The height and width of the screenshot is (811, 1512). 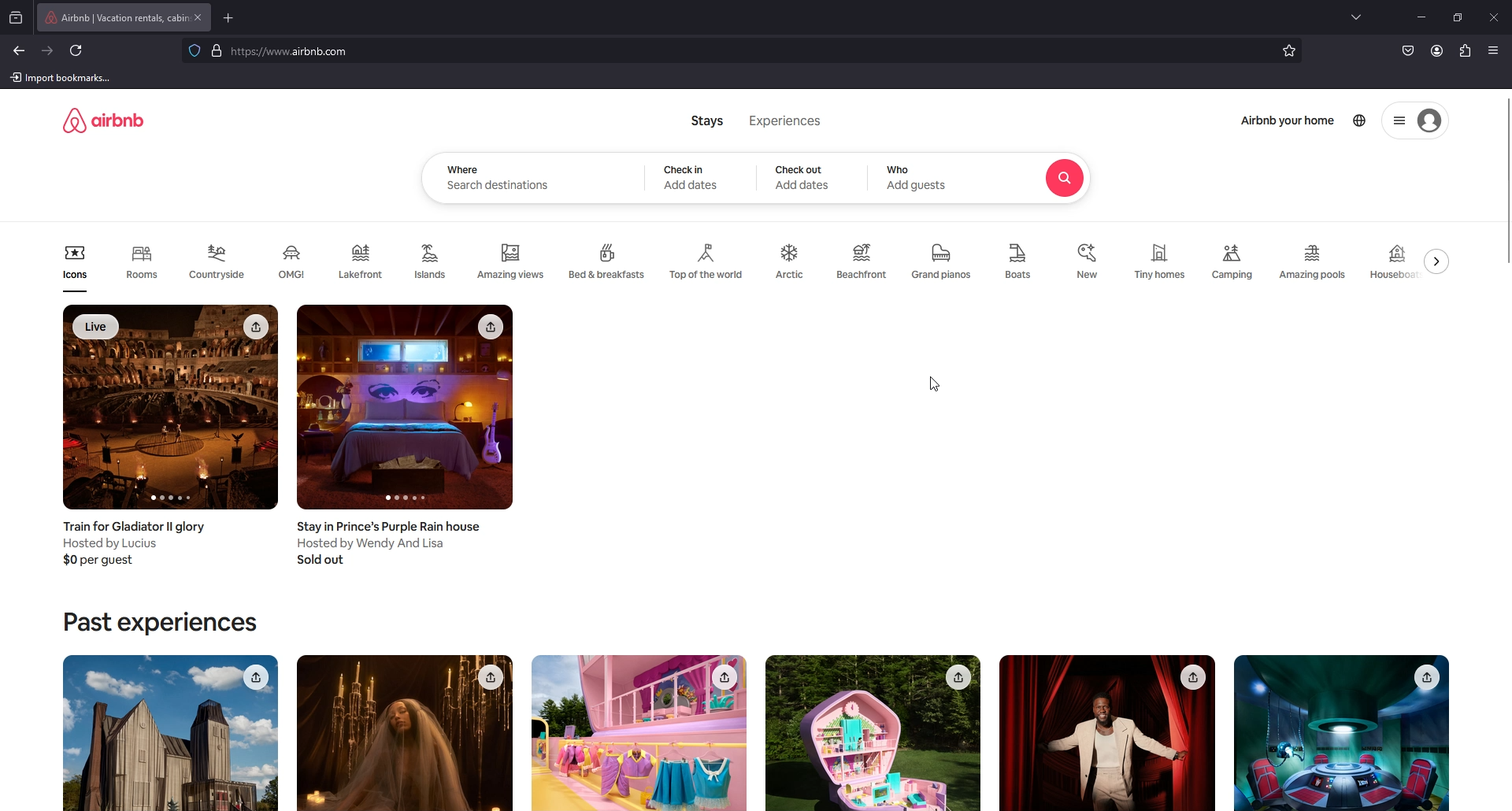 I want to click on cursor, so click(x=939, y=384).